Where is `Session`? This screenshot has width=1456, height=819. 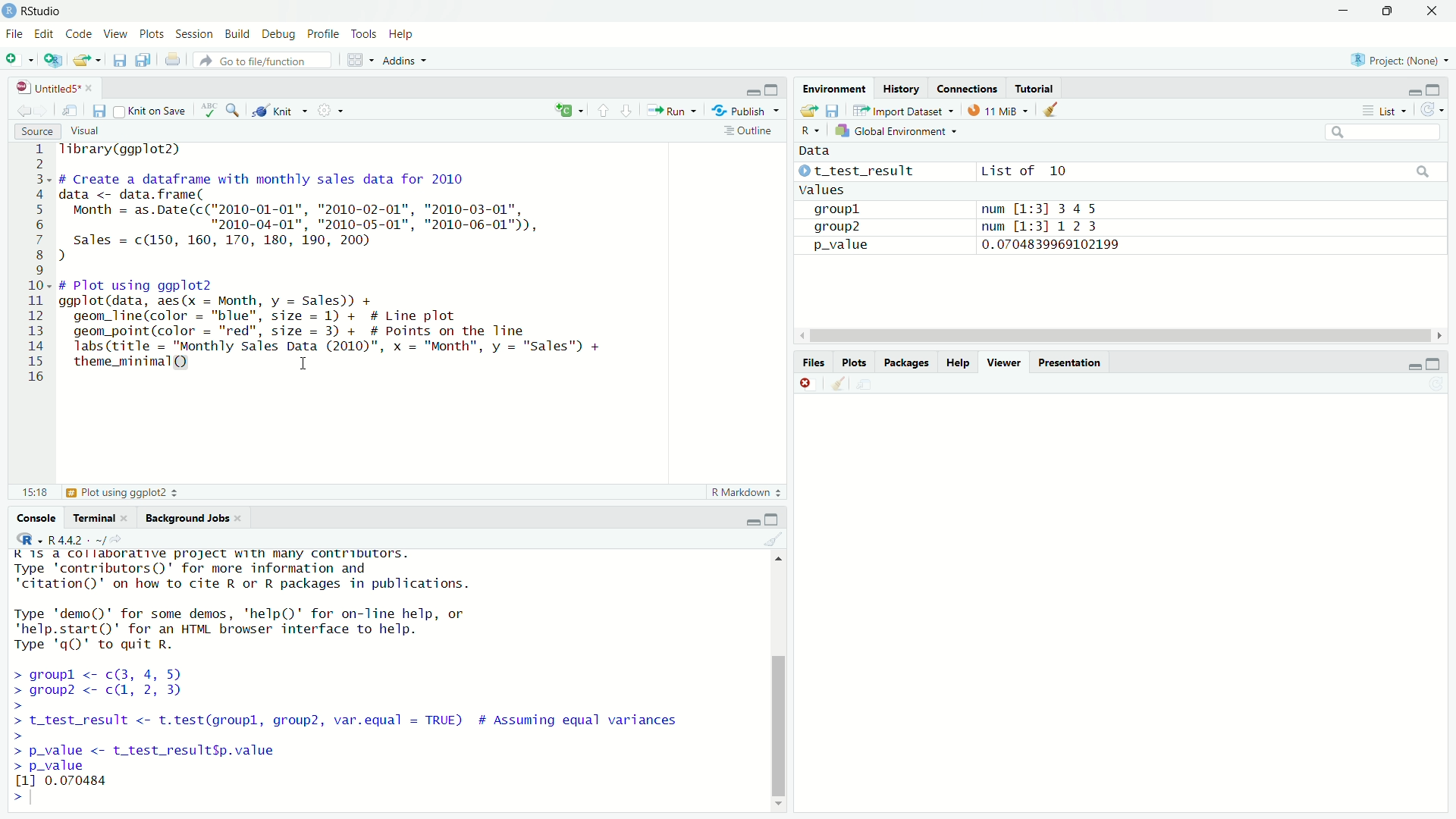 Session is located at coordinates (196, 33).